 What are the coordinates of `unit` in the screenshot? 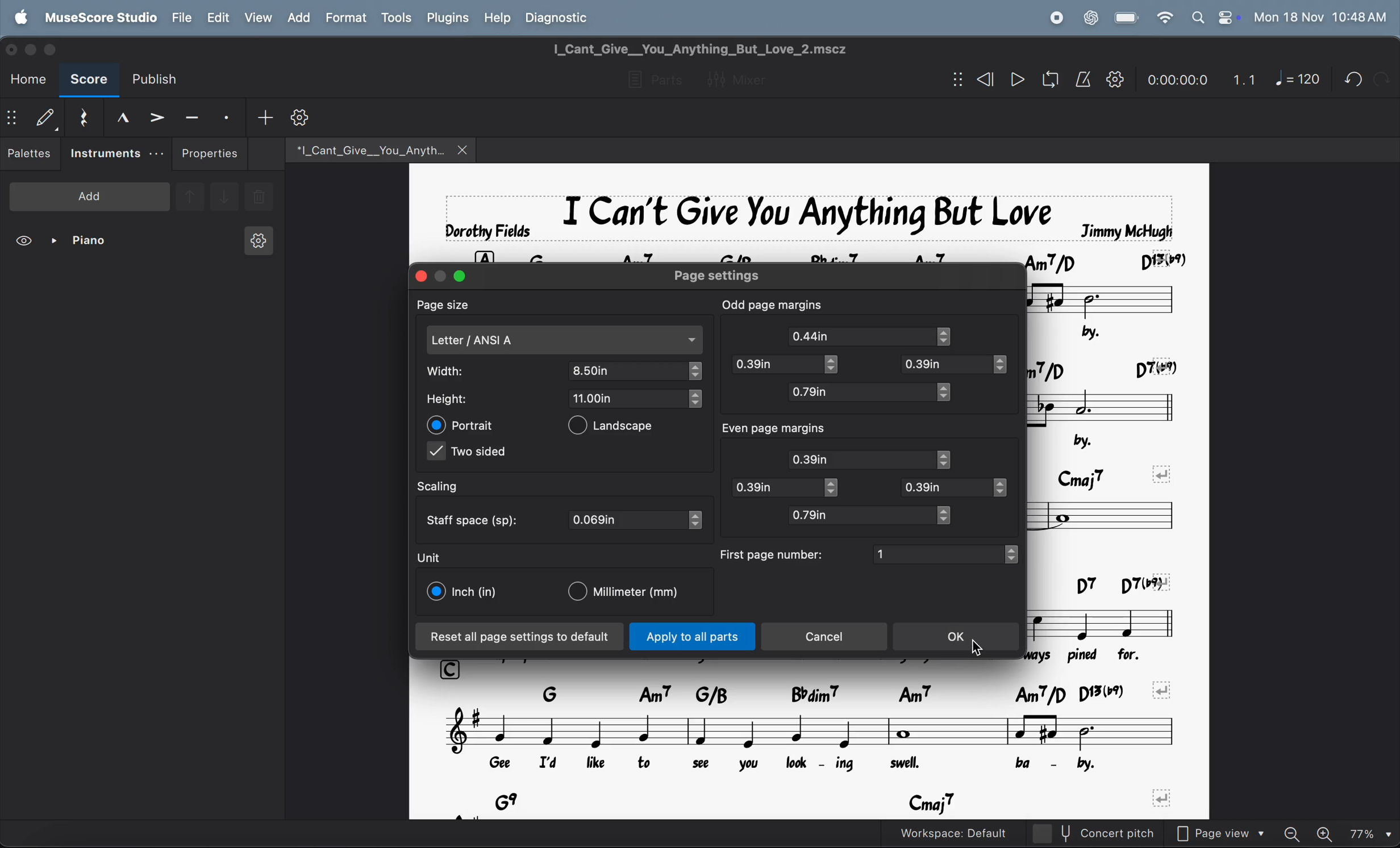 It's located at (430, 557).